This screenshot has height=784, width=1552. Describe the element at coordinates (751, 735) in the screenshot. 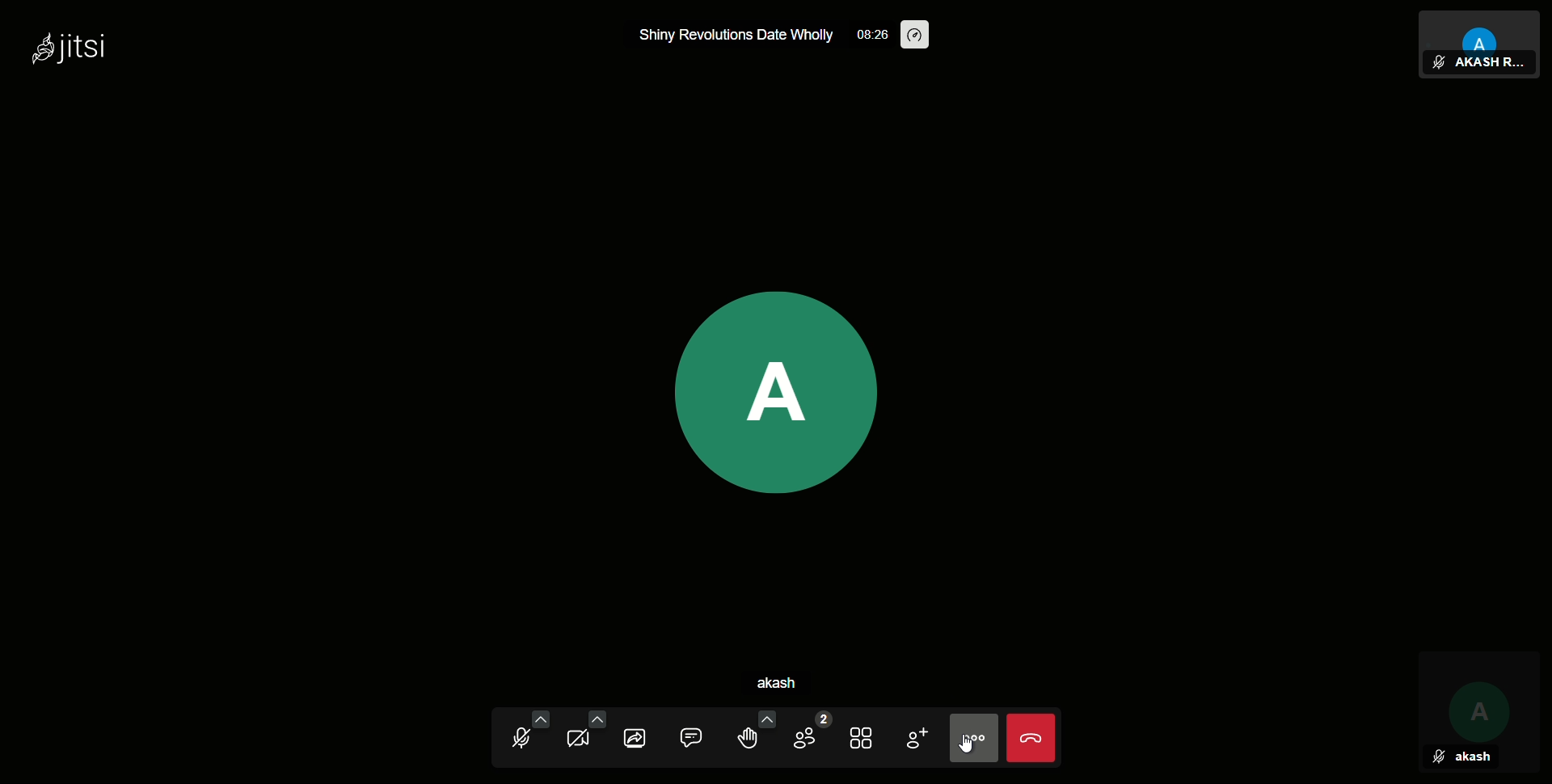

I see `` at that location.